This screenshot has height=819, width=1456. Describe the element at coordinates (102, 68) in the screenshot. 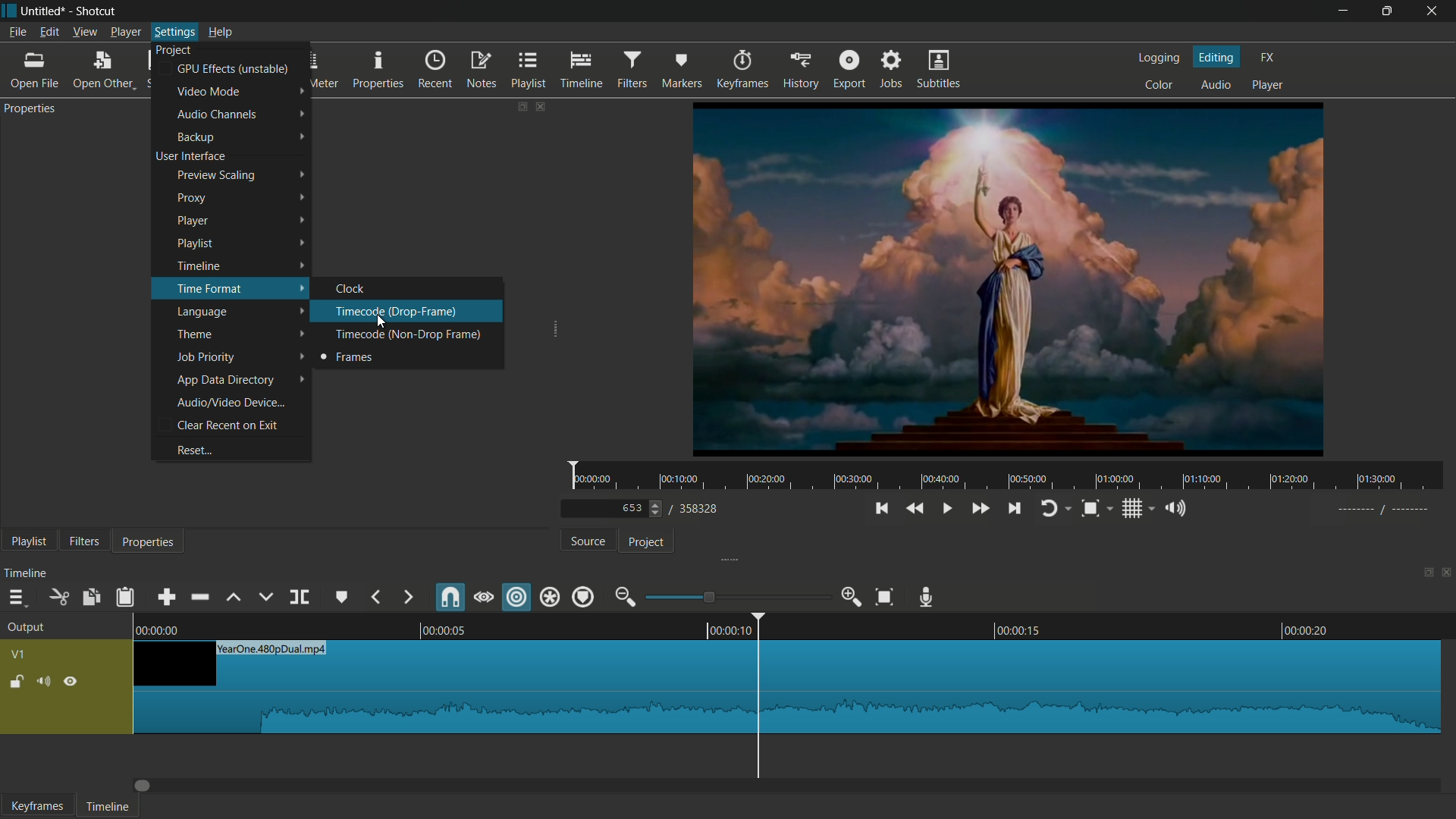

I see `open other` at that location.